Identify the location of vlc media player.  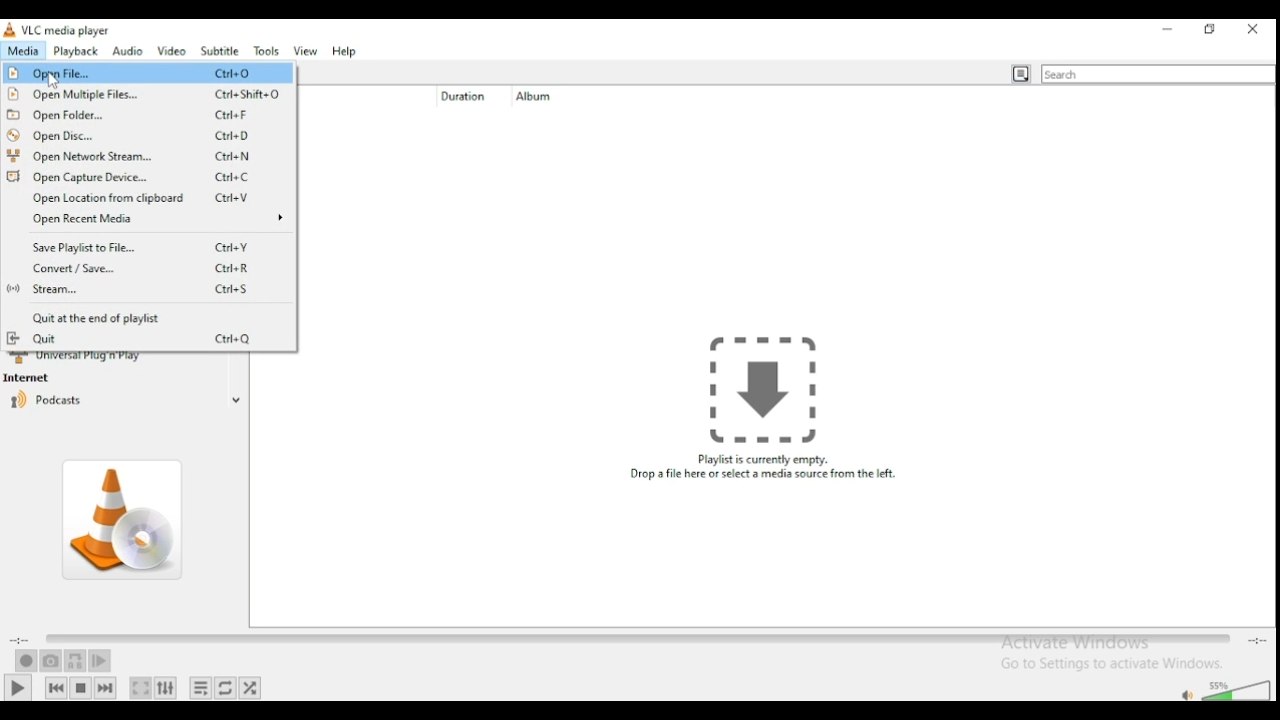
(67, 29).